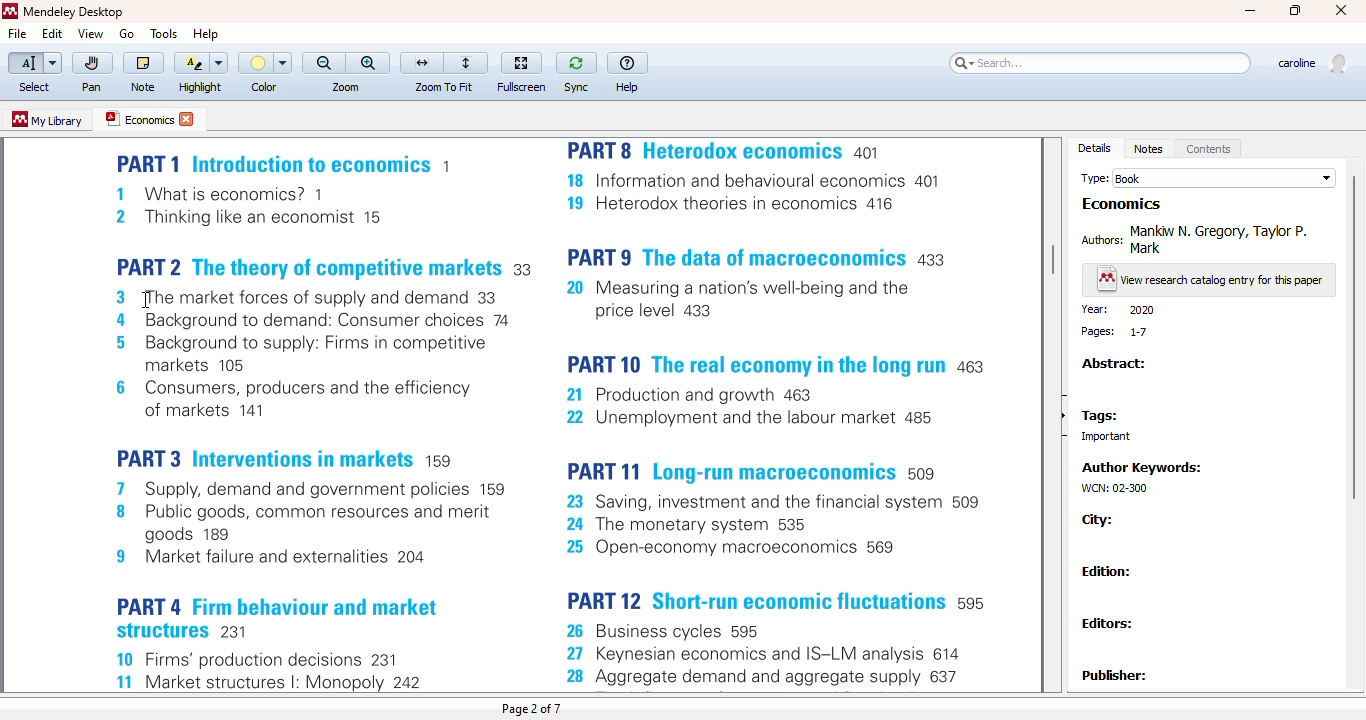 This screenshot has width=1366, height=720. What do you see at coordinates (369, 63) in the screenshot?
I see `zoom in` at bounding box center [369, 63].